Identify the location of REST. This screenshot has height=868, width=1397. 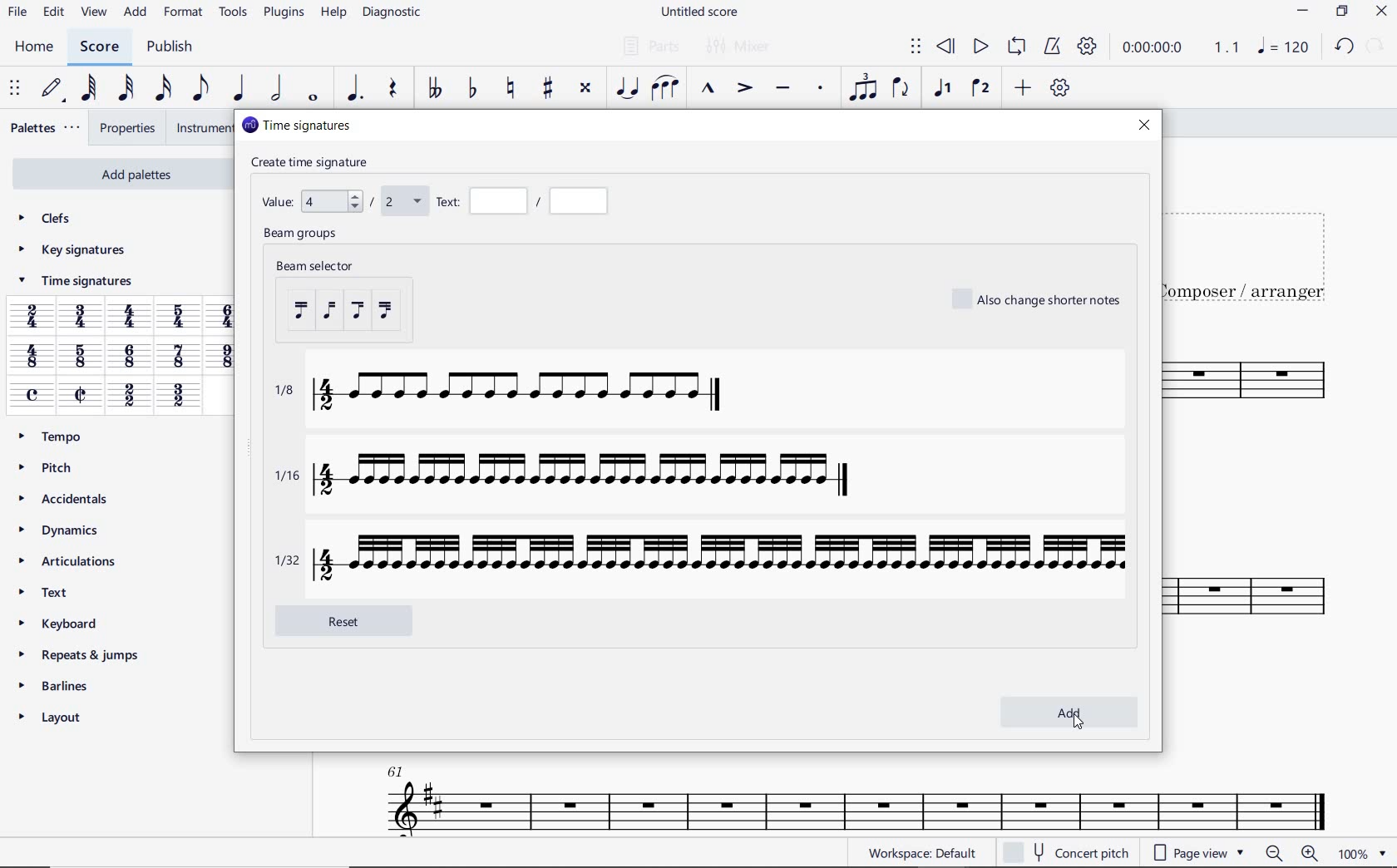
(394, 89).